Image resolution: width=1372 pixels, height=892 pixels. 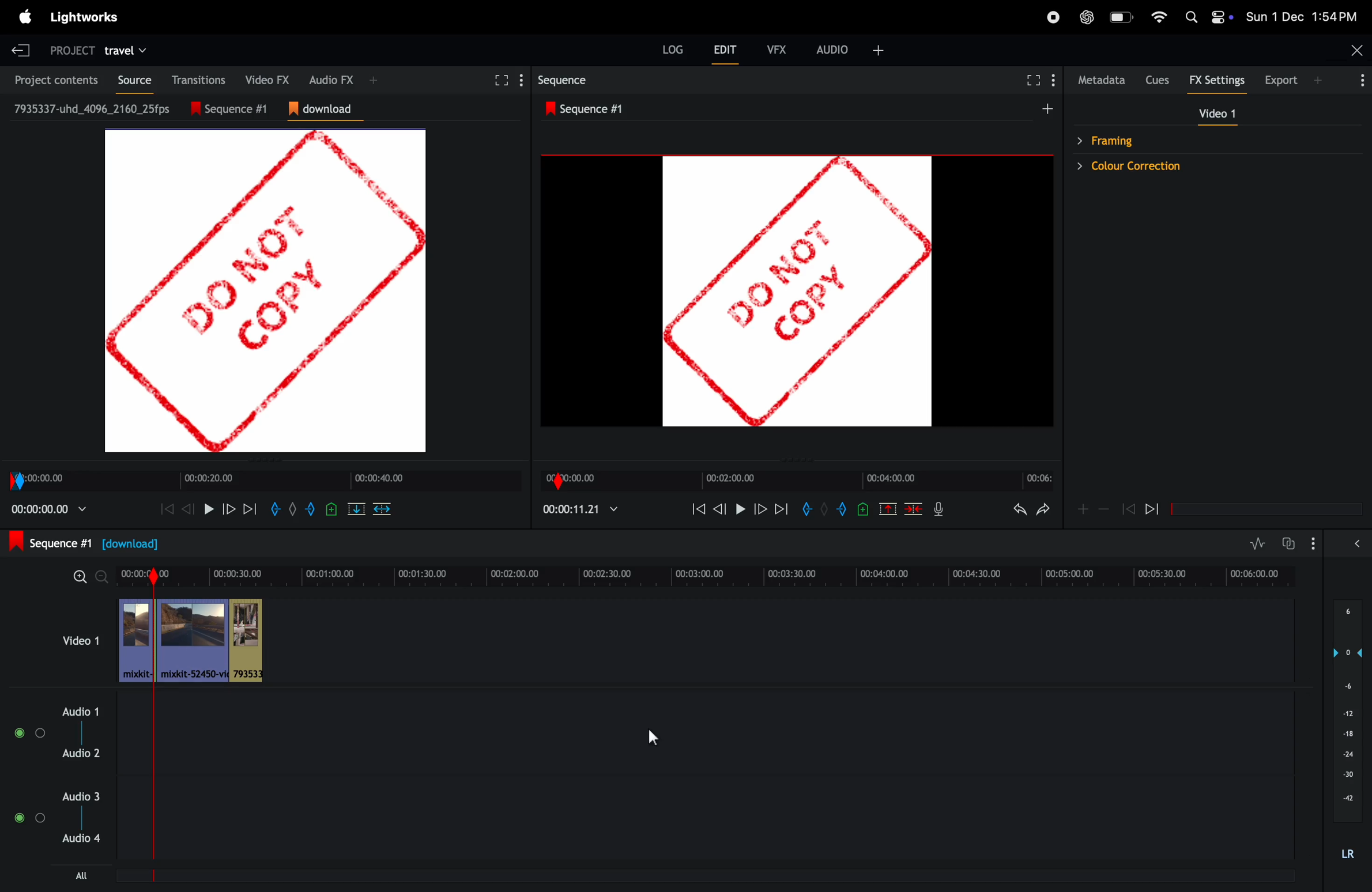 What do you see at coordinates (1053, 17) in the screenshot?
I see `record` at bounding box center [1053, 17].